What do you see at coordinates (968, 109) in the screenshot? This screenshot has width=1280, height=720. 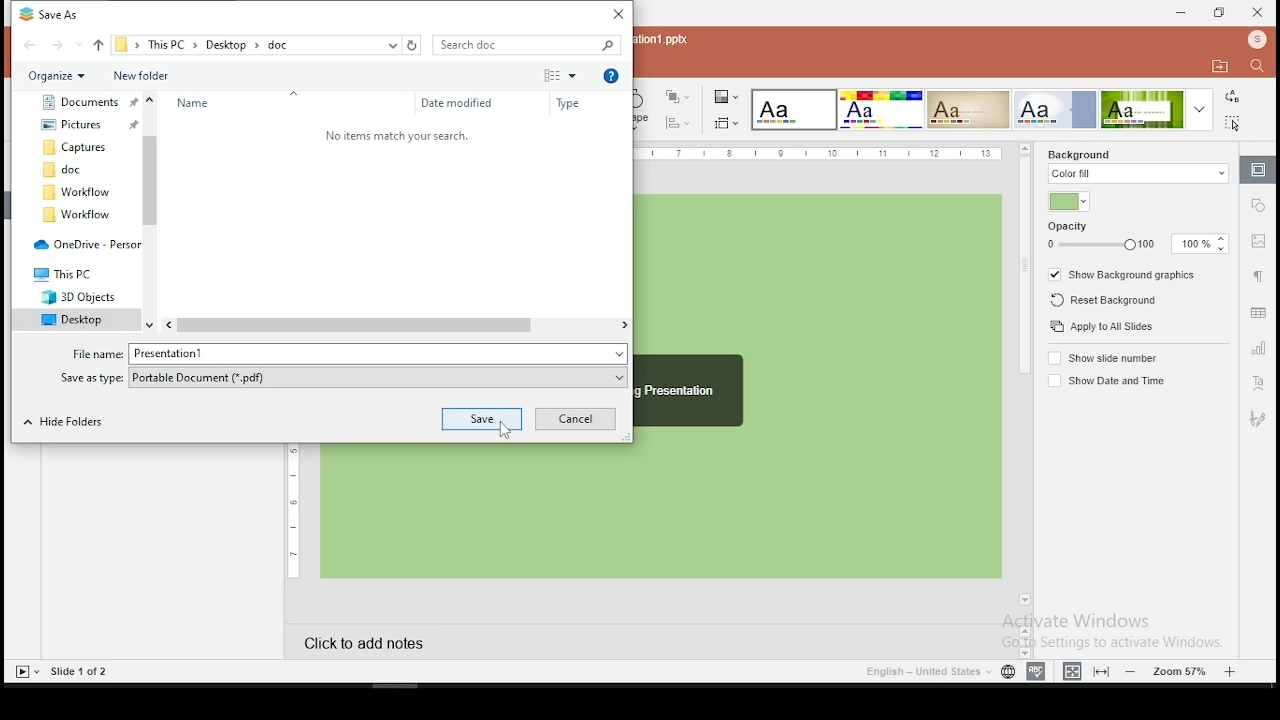 I see `select color theme` at bounding box center [968, 109].